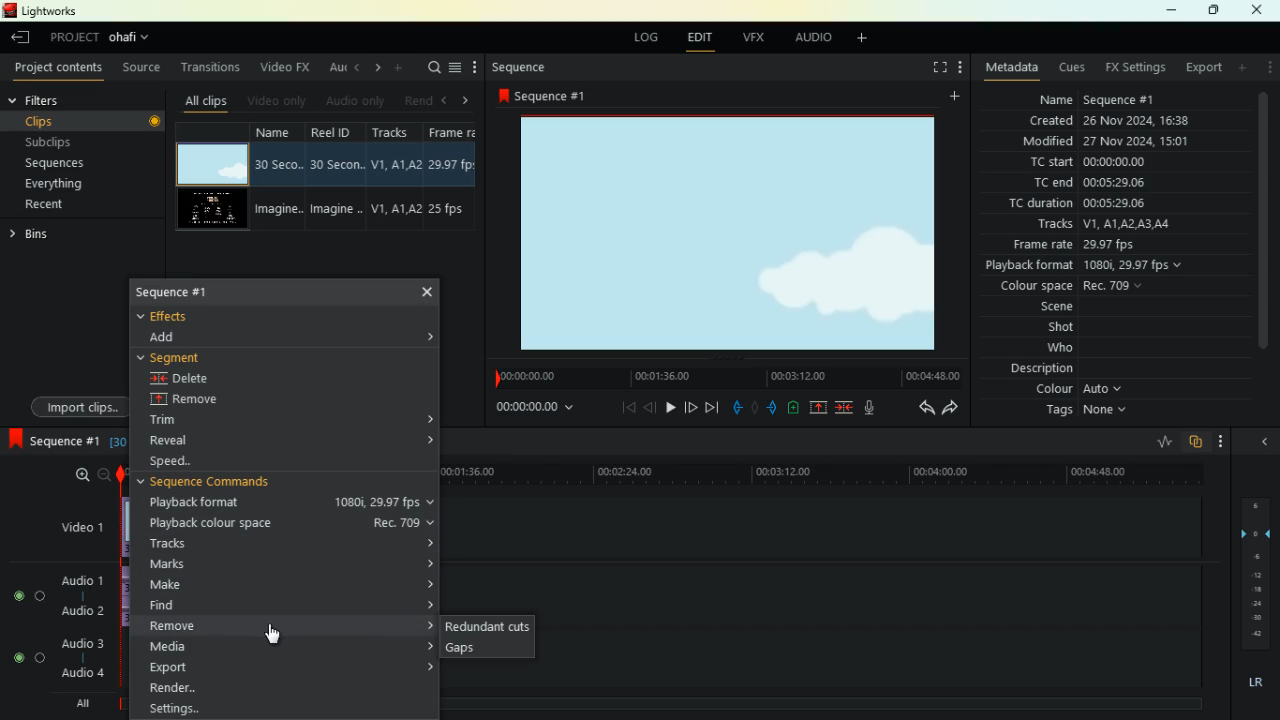 The width and height of the screenshot is (1280, 720). Describe the element at coordinates (951, 410) in the screenshot. I see `forward` at that location.